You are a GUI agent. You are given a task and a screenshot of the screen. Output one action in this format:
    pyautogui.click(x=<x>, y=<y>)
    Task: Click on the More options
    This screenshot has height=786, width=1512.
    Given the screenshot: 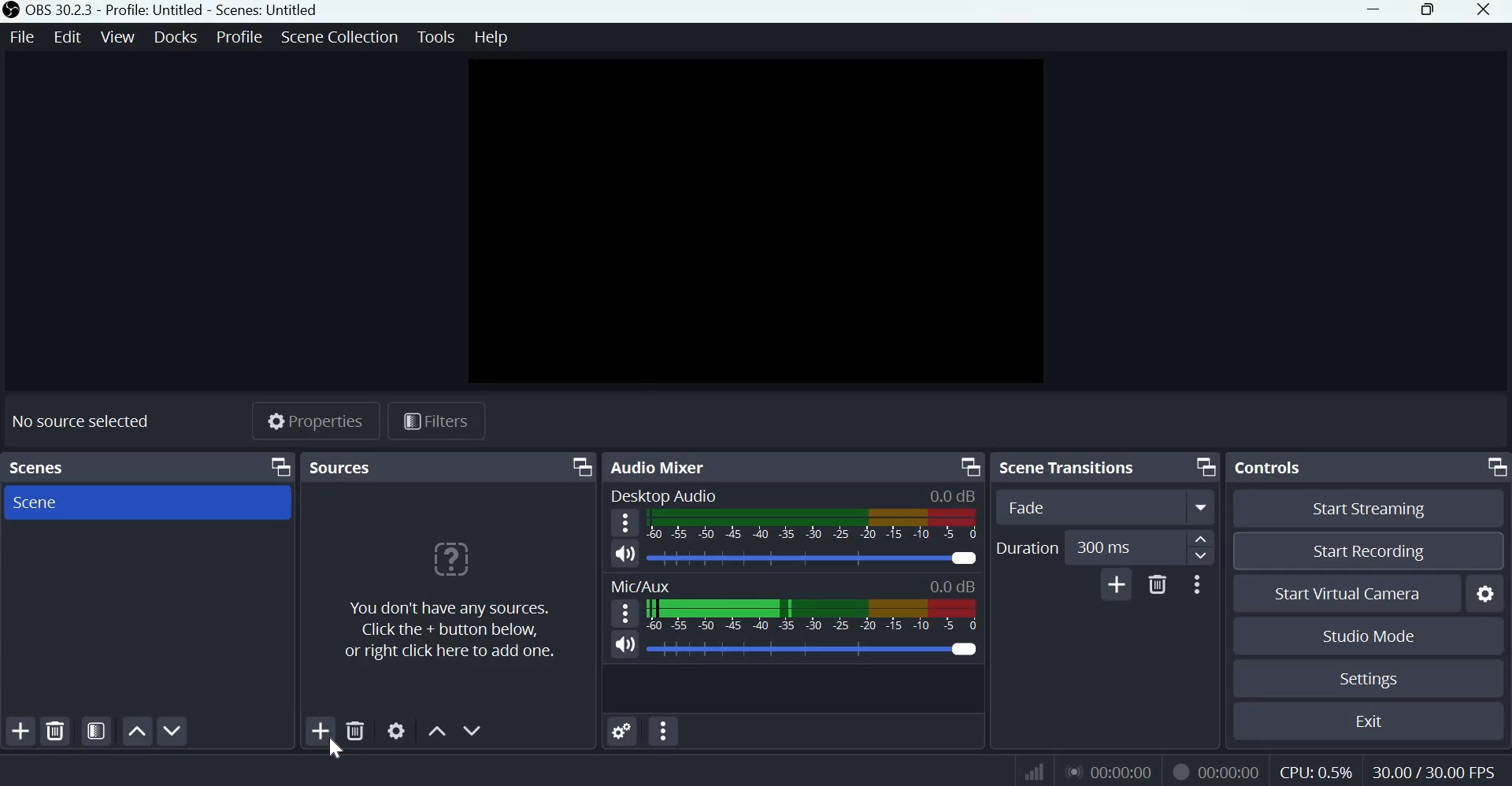 What is the action you would take?
    pyautogui.click(x=1202, y=508)
    